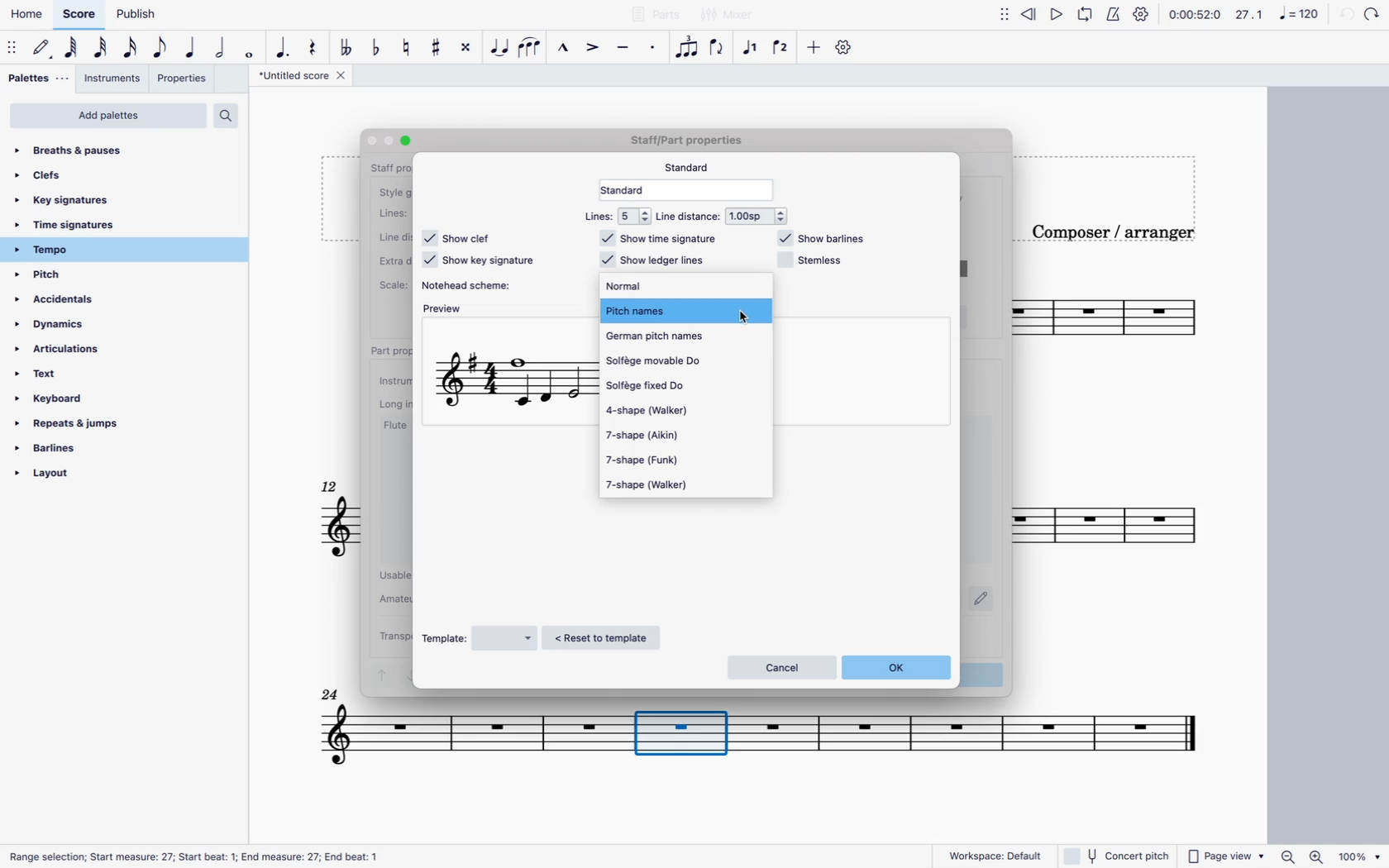  What do you see at coordinates (498, 50) in the screenshot?
I see `tie` at bounding box center [498, 50].